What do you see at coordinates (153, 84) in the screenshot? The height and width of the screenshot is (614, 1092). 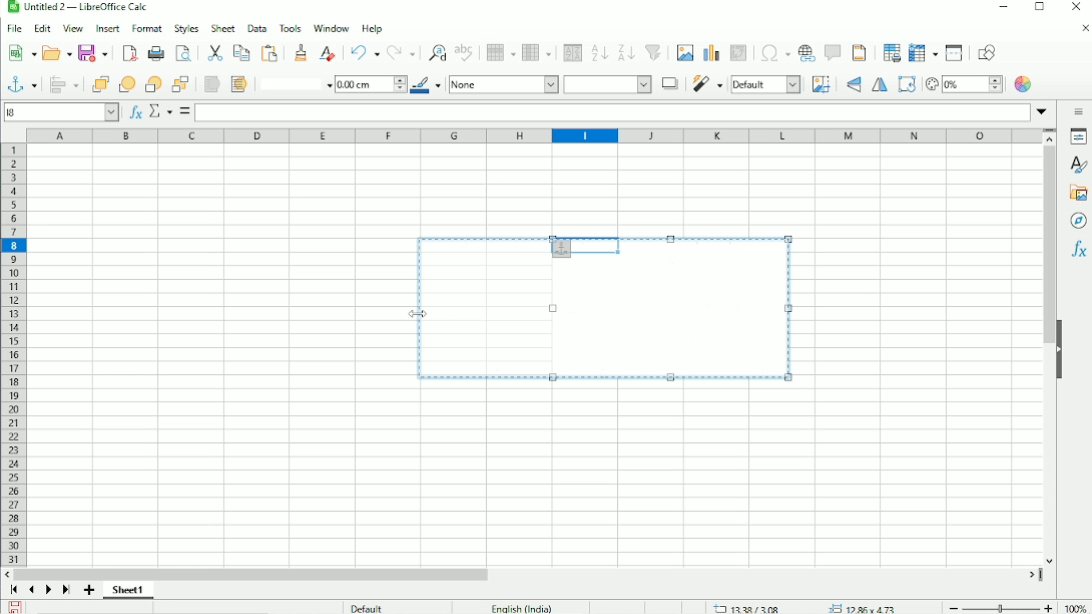 I see `back one` at bounding box center [153, 84].